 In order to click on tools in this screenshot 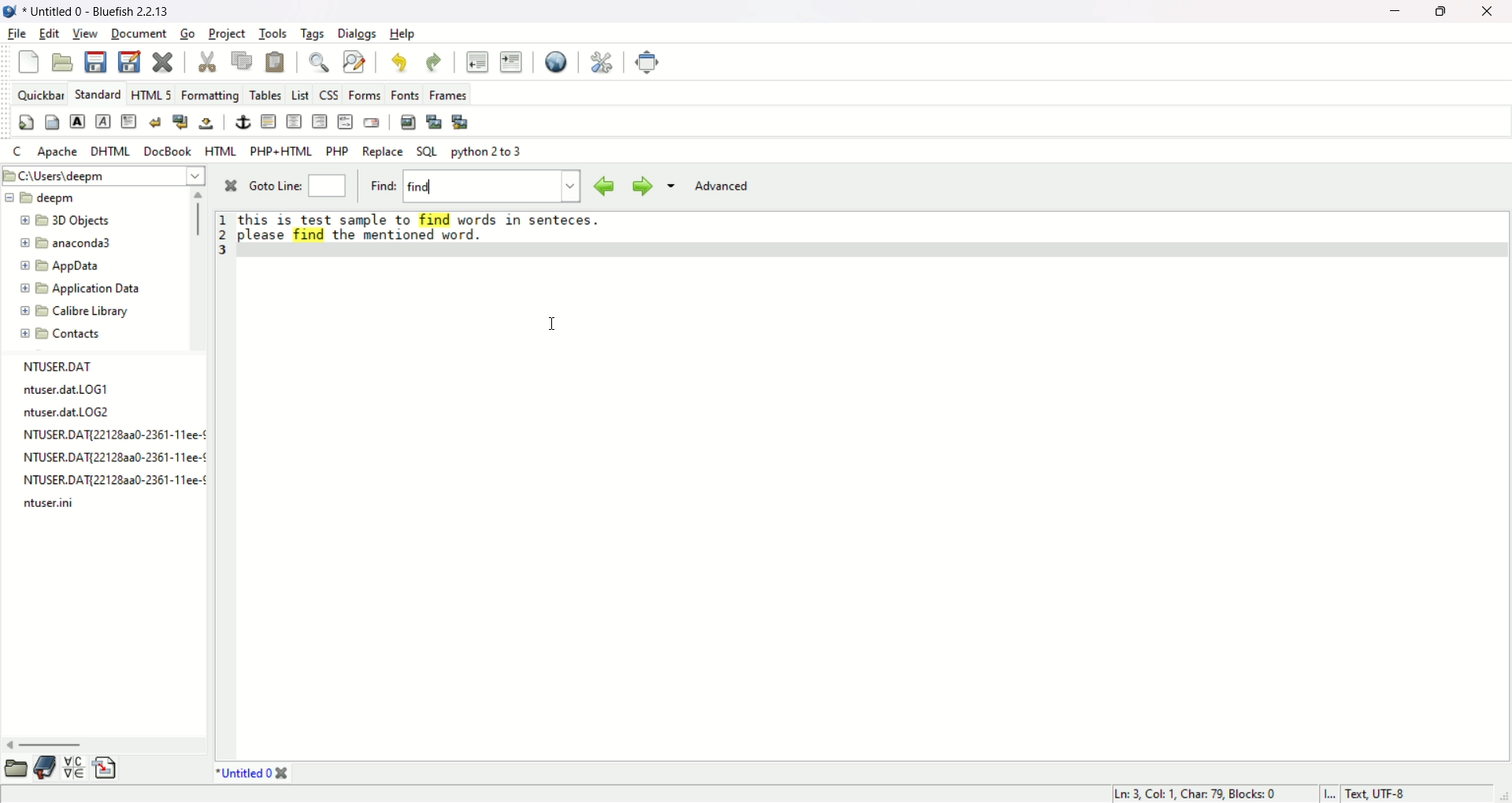, I will do `click(275, 32)`.